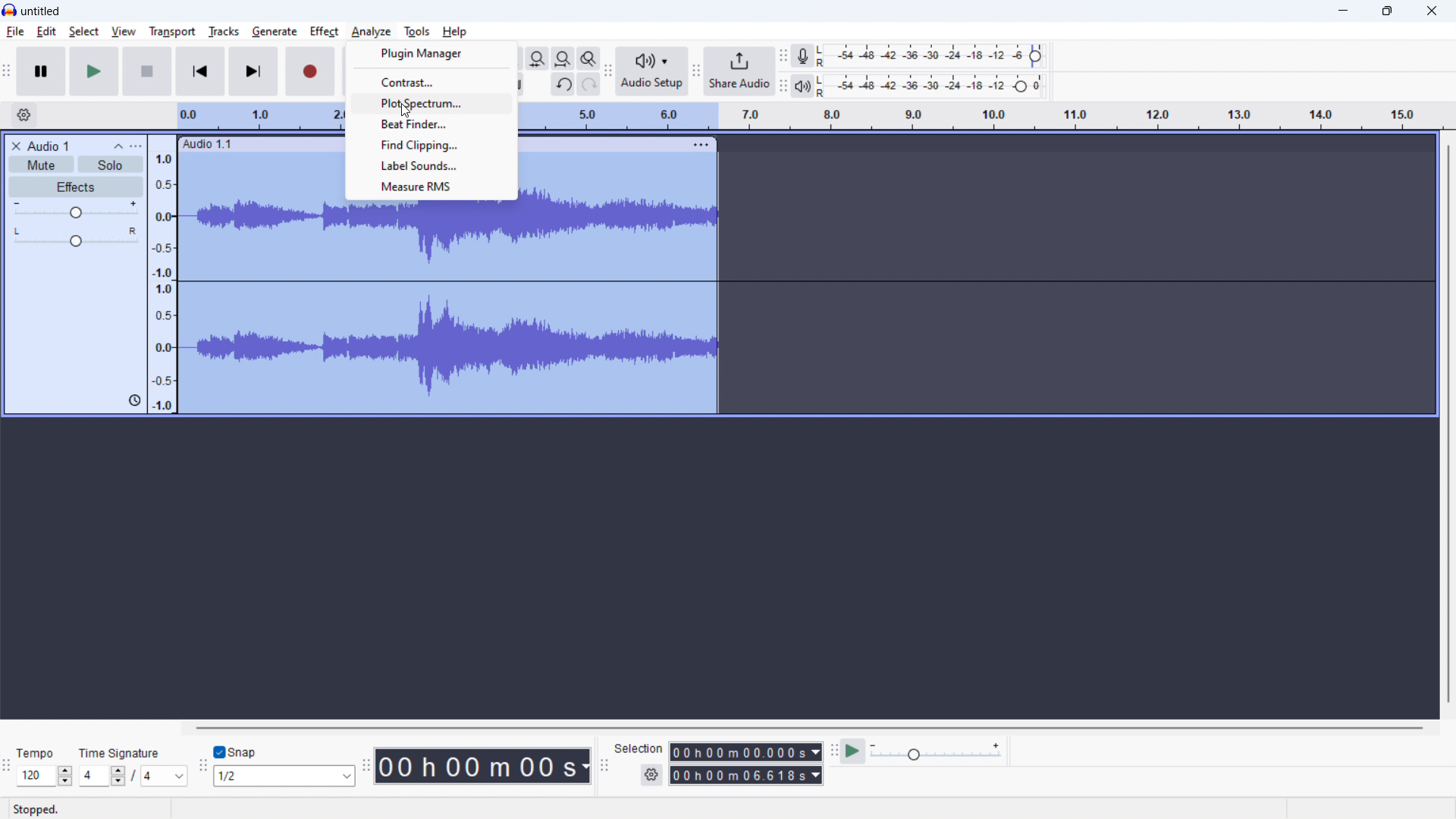 The width and height of the screenshot is (1456, 819). I want to click on play at speed toolbar, so click(833, 752).